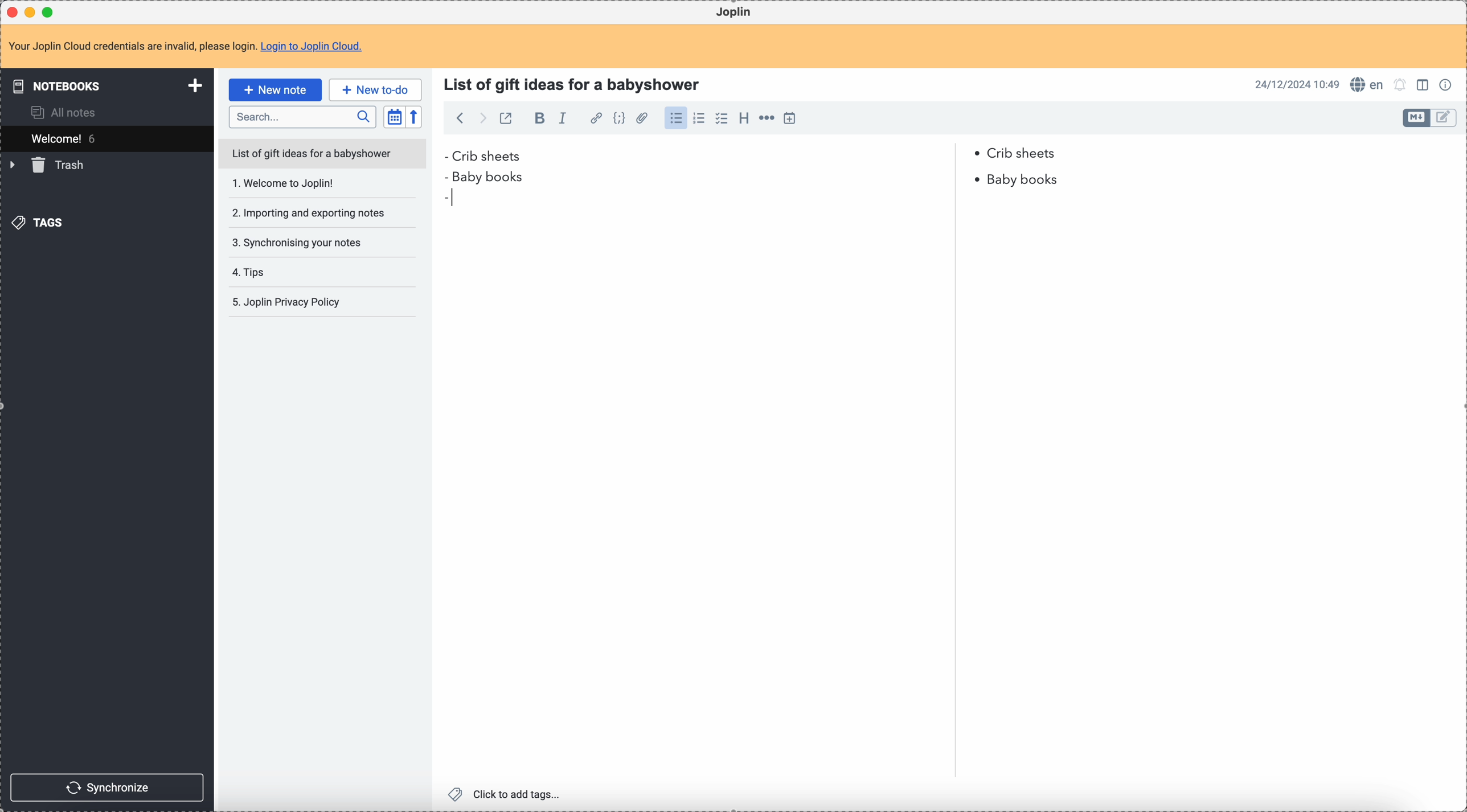 The width and height of the screenshot is (1467, 812). Describe the element at coordinates (505, 794) in the screenshot. I see `click to add tags` at that location.